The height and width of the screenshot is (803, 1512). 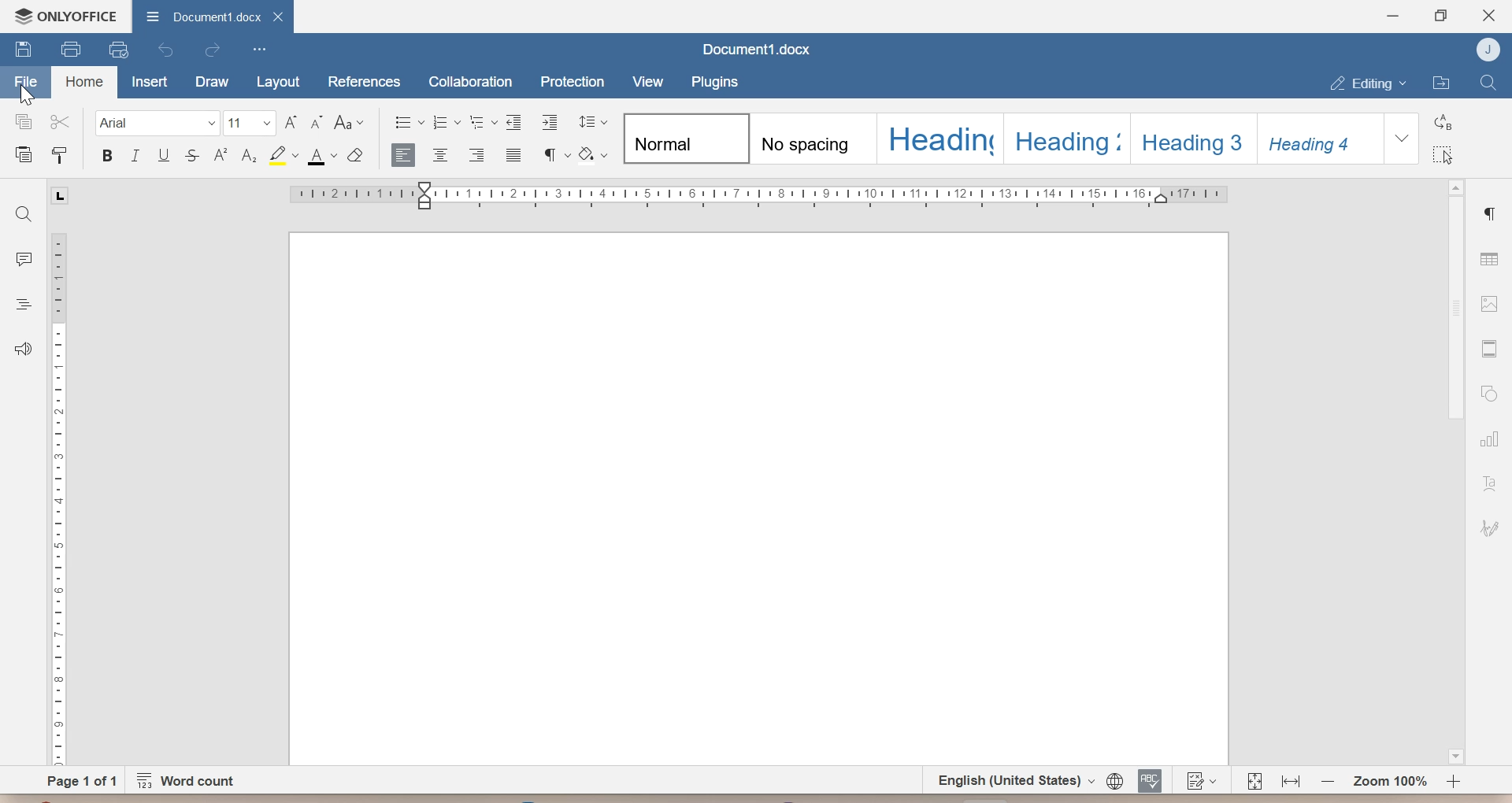 What do you see at coordinates (20, 152) in the screenshot?
I see `Paste` at bounding box center [20, 152].